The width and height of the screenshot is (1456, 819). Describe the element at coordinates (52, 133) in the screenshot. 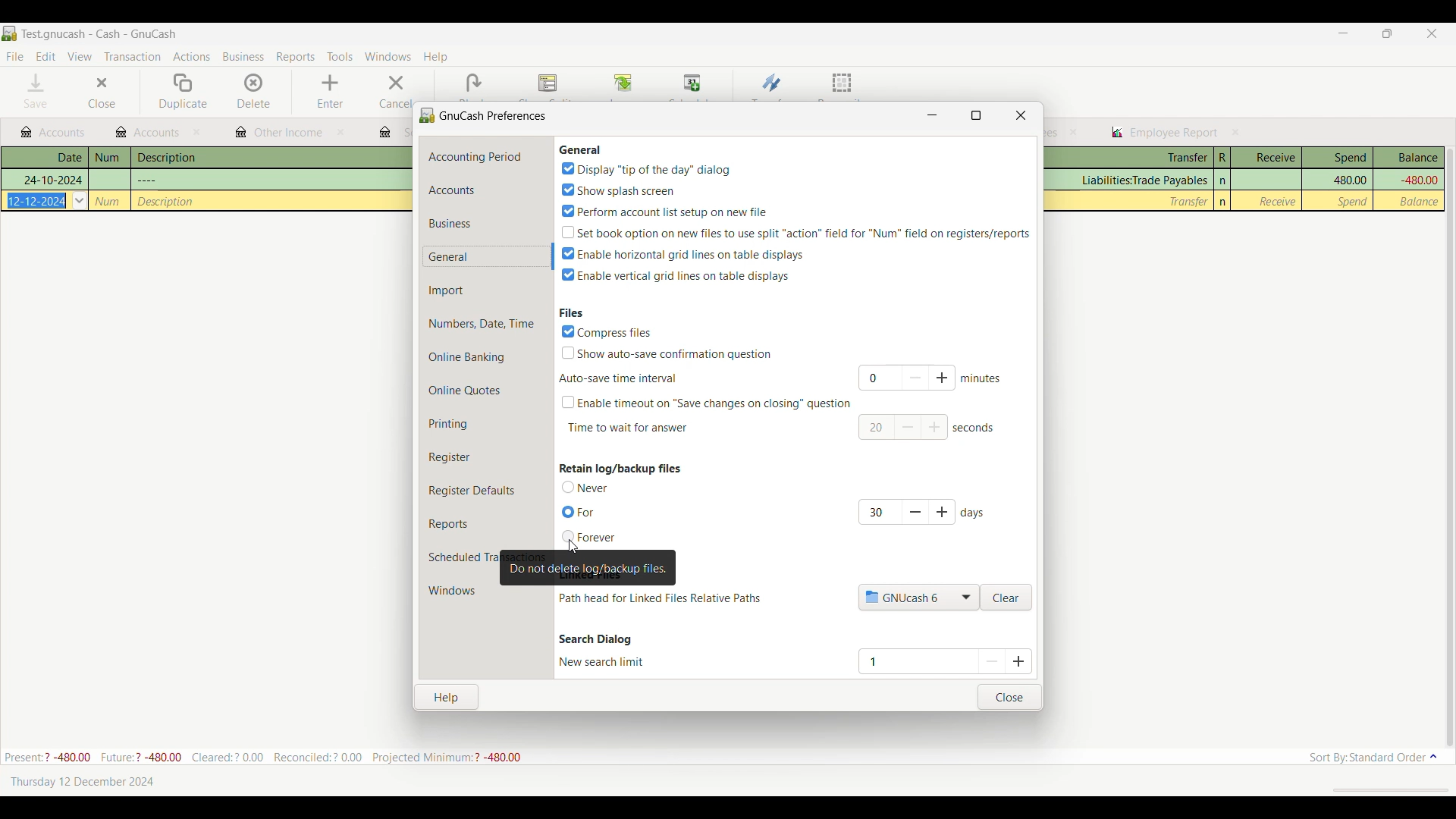

I see `Other budgets and reports` at that location.